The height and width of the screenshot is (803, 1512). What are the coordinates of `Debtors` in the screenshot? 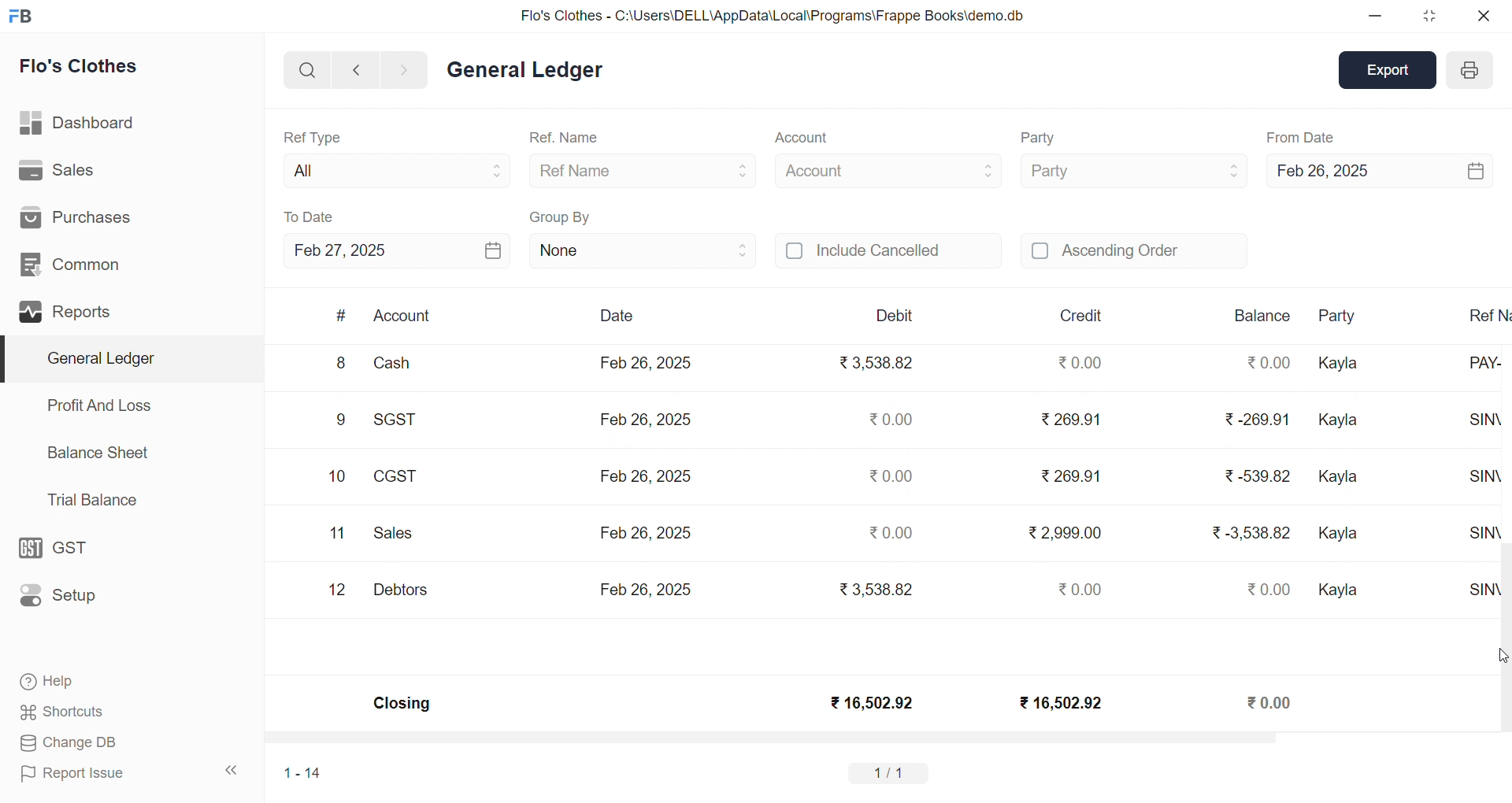 It's located at (400, 590).